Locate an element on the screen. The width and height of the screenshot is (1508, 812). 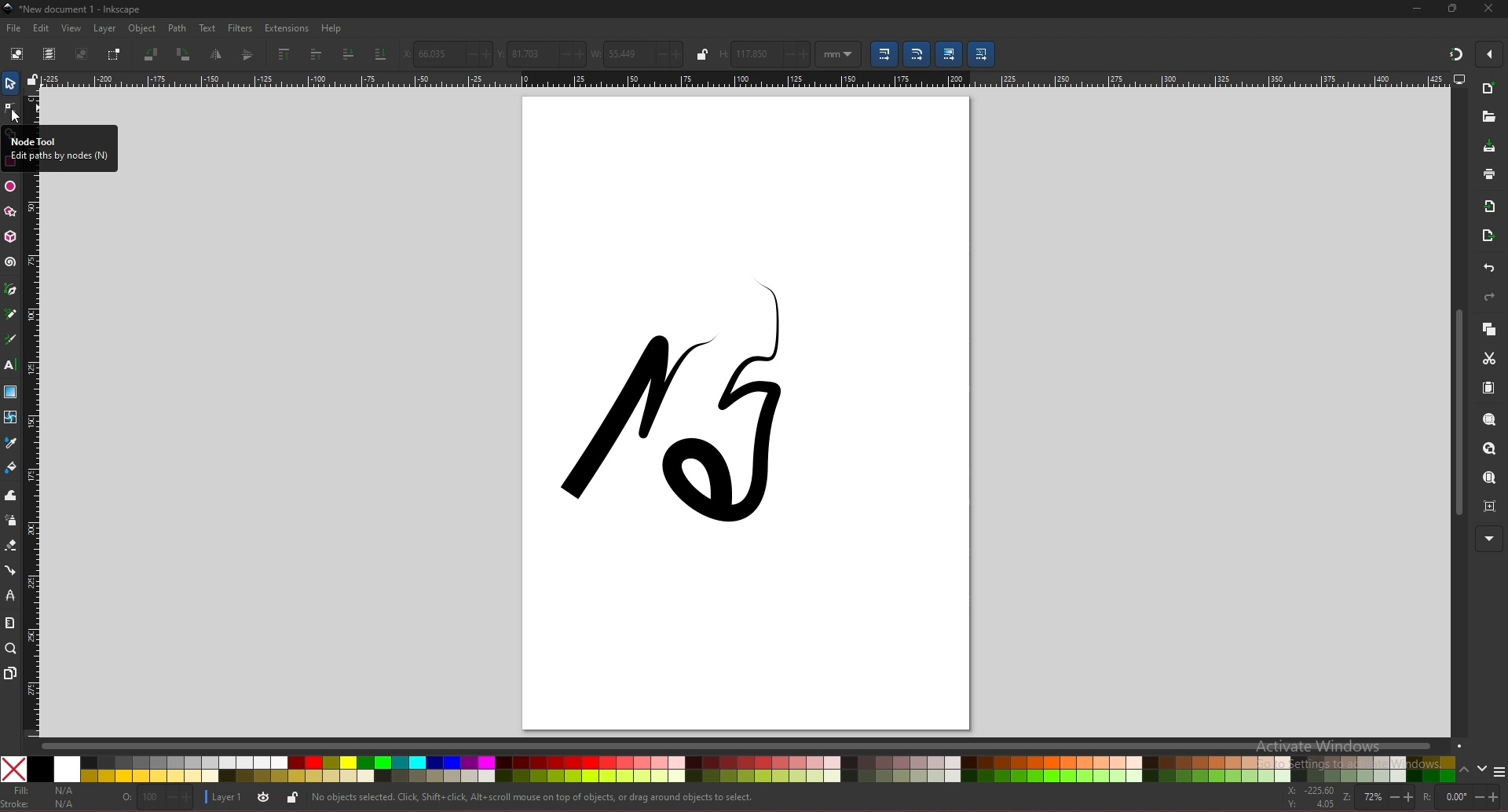
scroll bar is located at coordinates (751, 747).